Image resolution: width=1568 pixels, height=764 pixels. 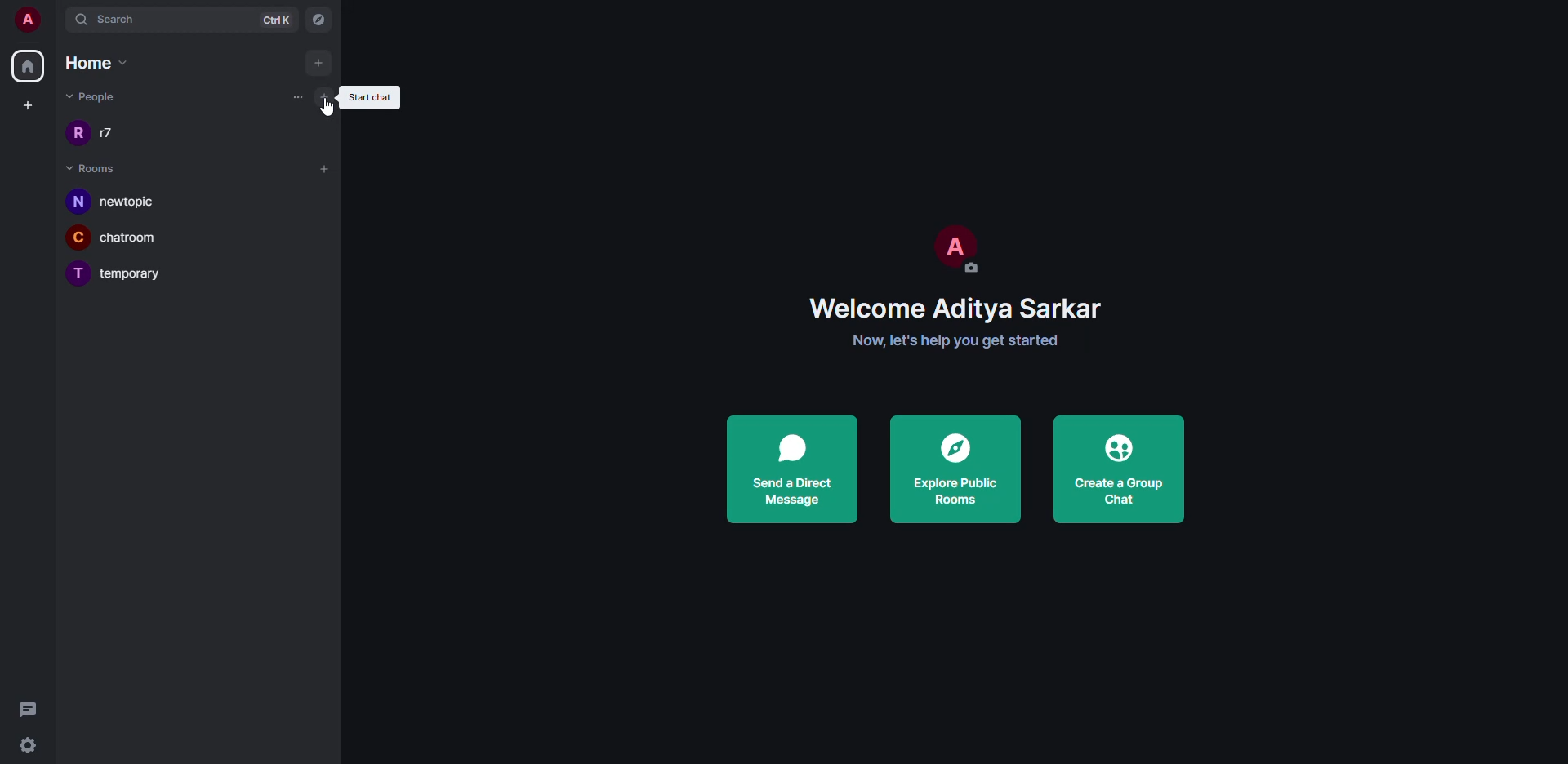 I want to click on ctrlK, so click(x=276, y=20).